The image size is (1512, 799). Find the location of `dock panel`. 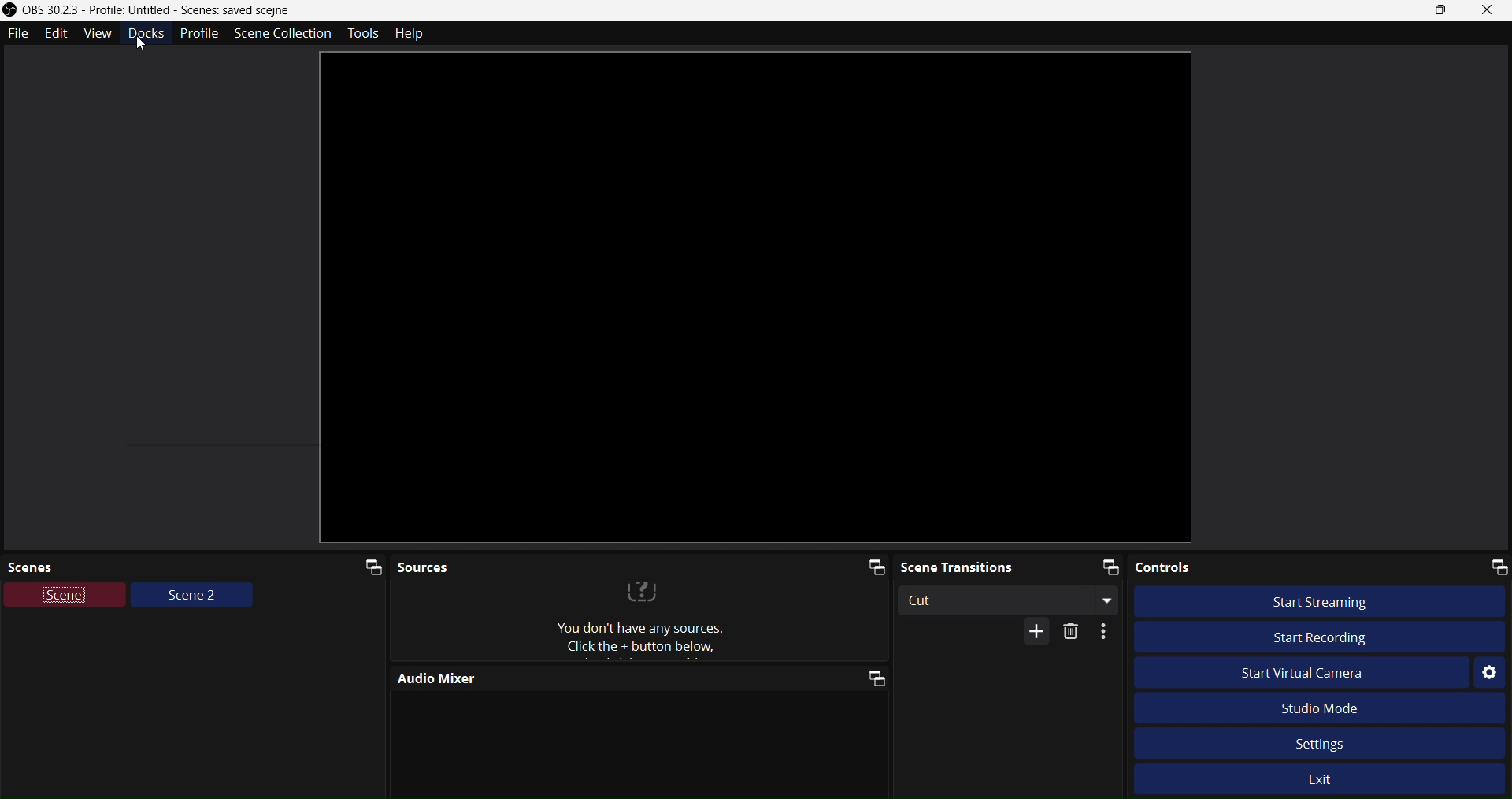

dock panel is located at coordinates (365, 565).